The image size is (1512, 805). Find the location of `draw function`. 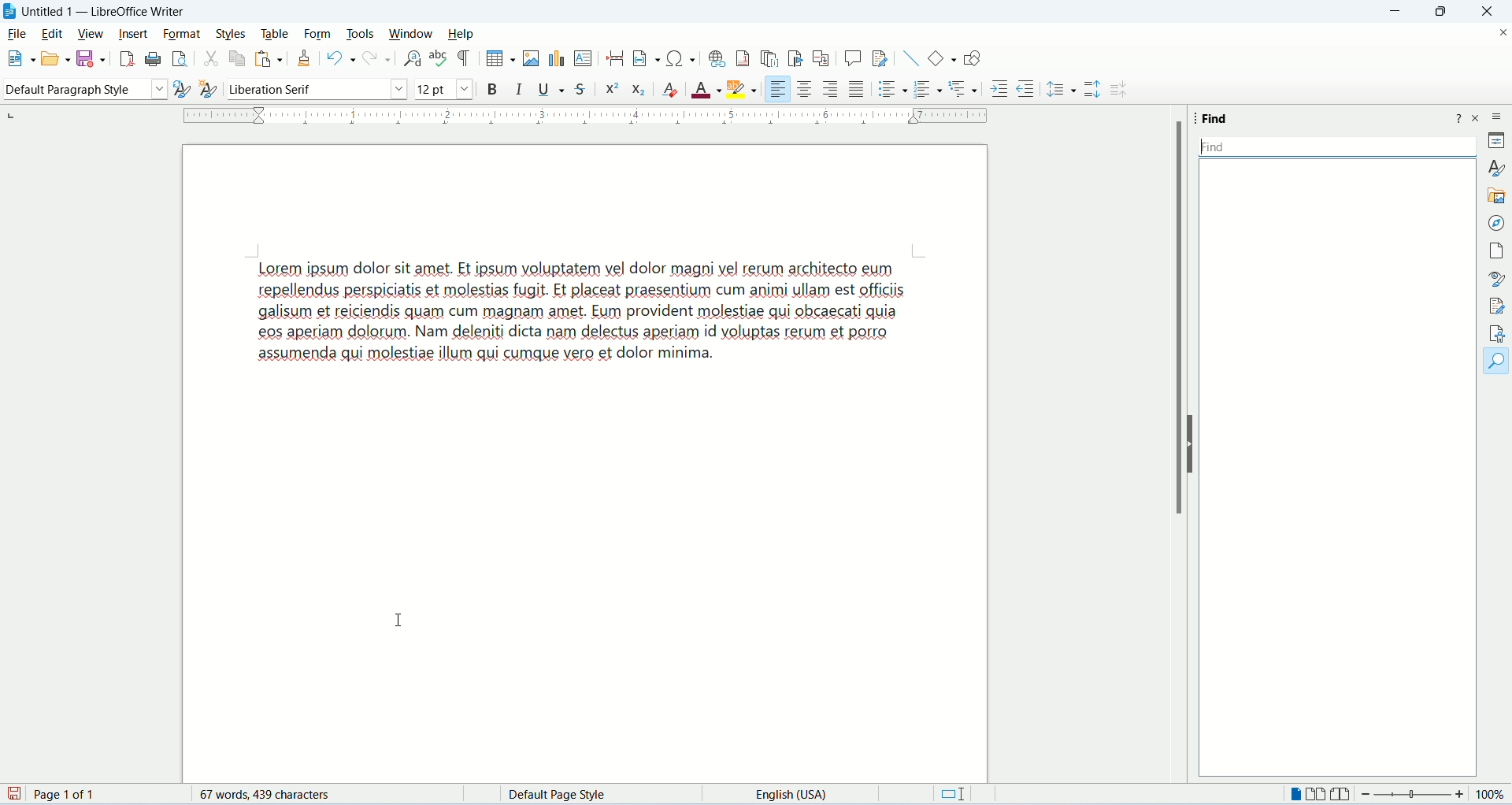

draw function is located at coordinates (977, 58).